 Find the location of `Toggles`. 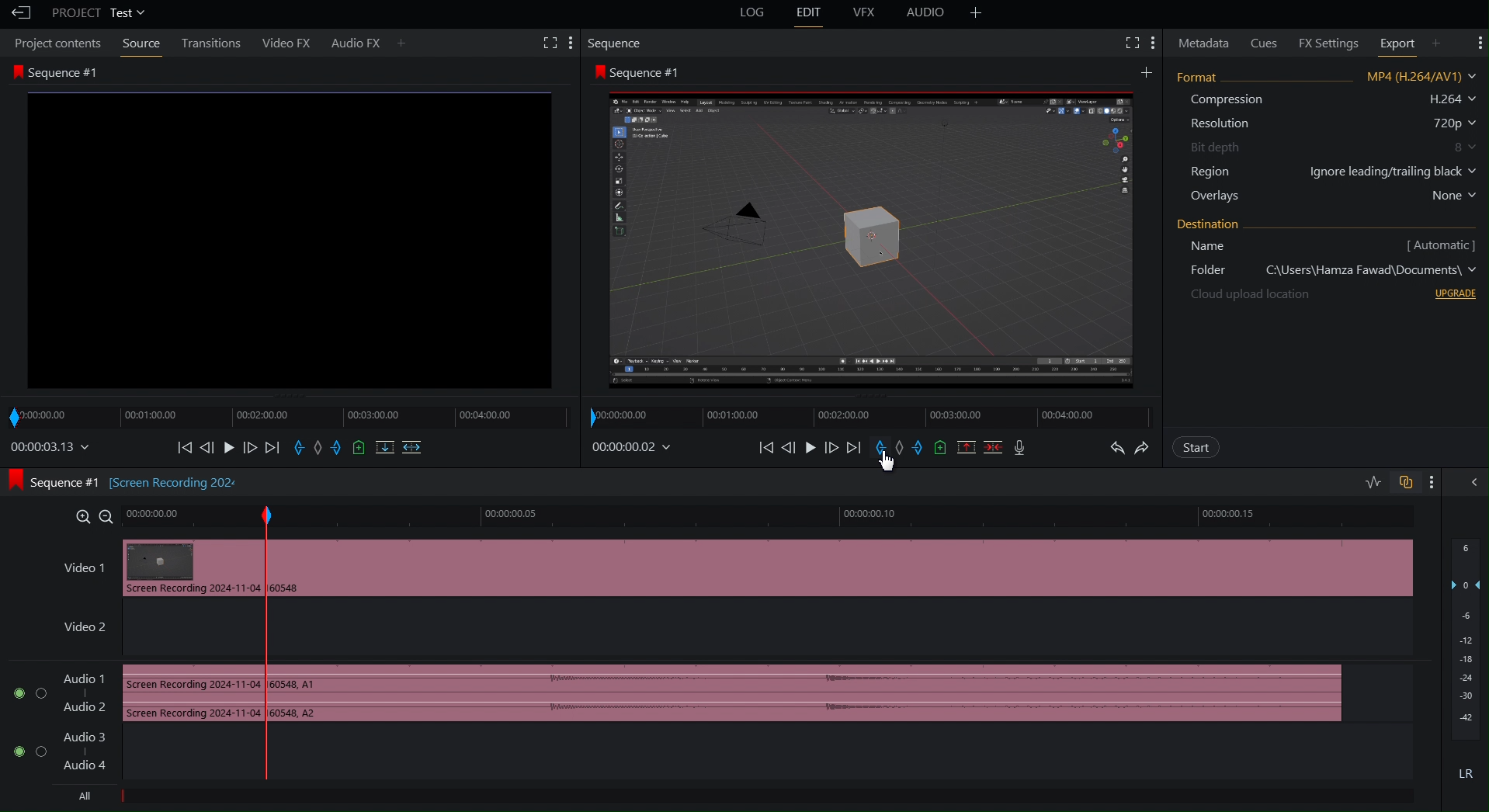

Toggles is located at coordinates (1385, 481).